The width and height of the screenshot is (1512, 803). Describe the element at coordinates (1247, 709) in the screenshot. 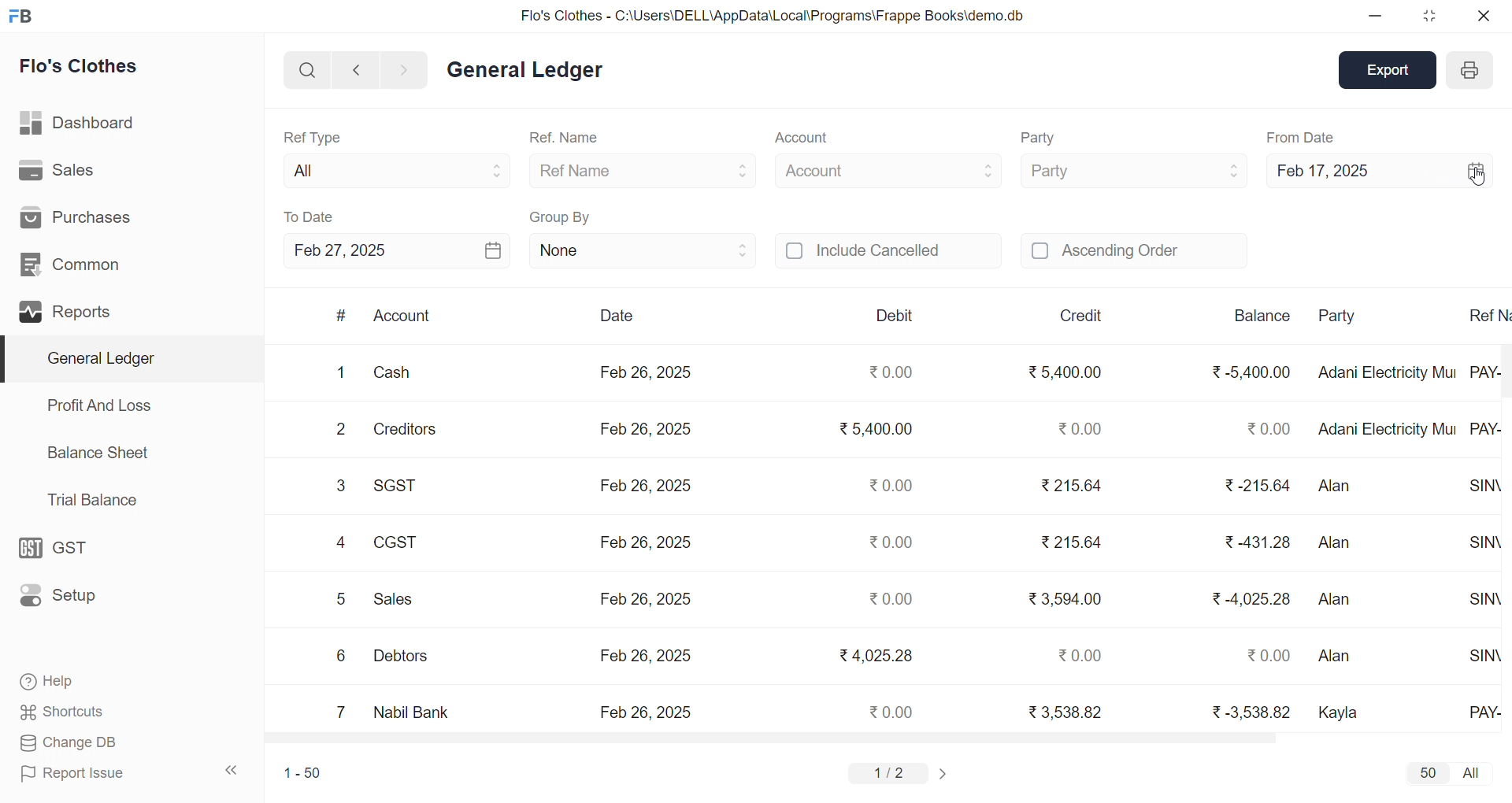

I see `₹ -3,538.82` at that location.